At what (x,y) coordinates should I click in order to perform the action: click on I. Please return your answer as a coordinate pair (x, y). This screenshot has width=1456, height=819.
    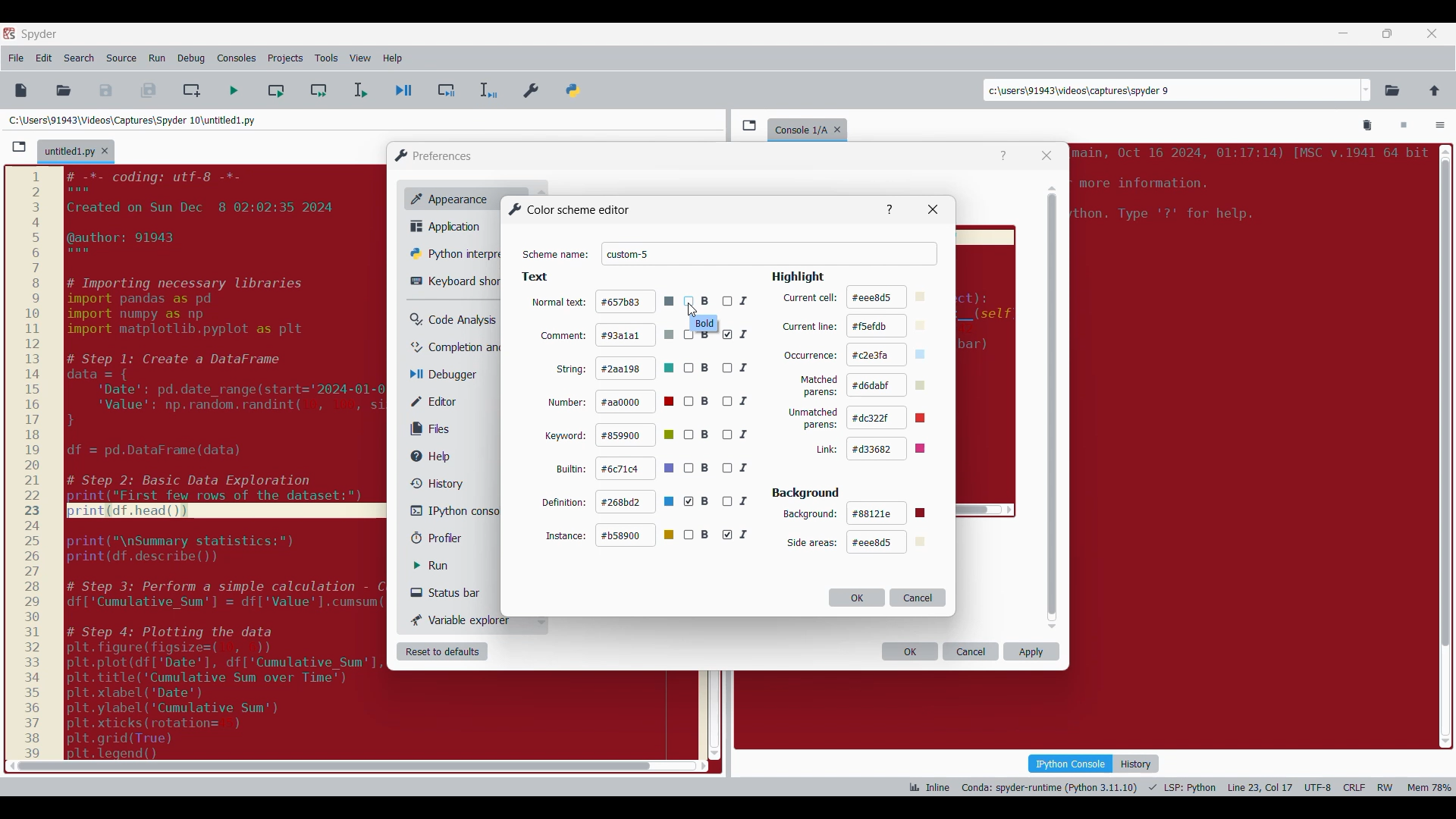
    Looking at the image, I should click on (736, 334).